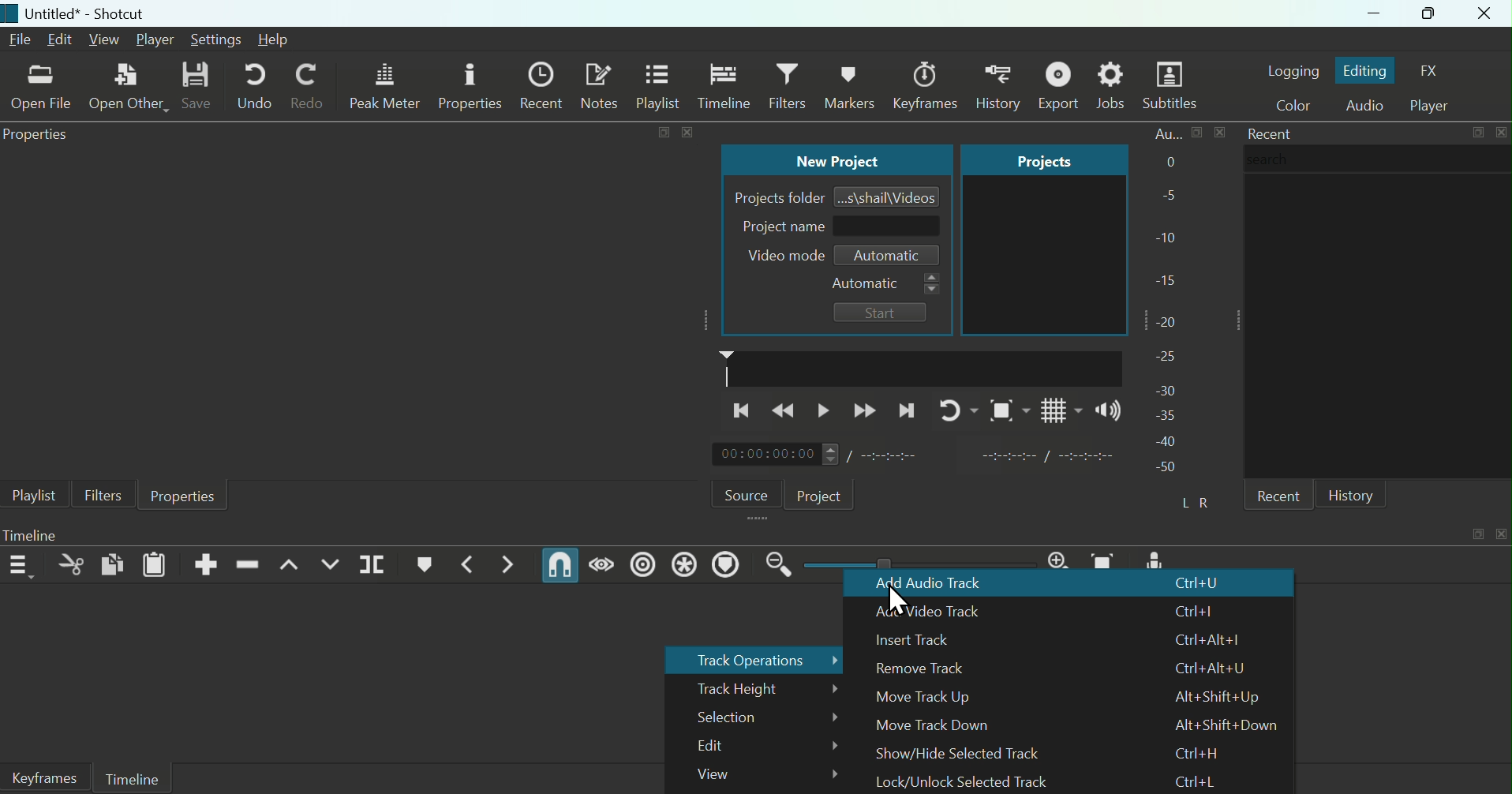 The width and height of the screenshot is (1512, 794). Describe the element at coordinates (1293, 68) in the screenshot. I see `Logging` at that location.